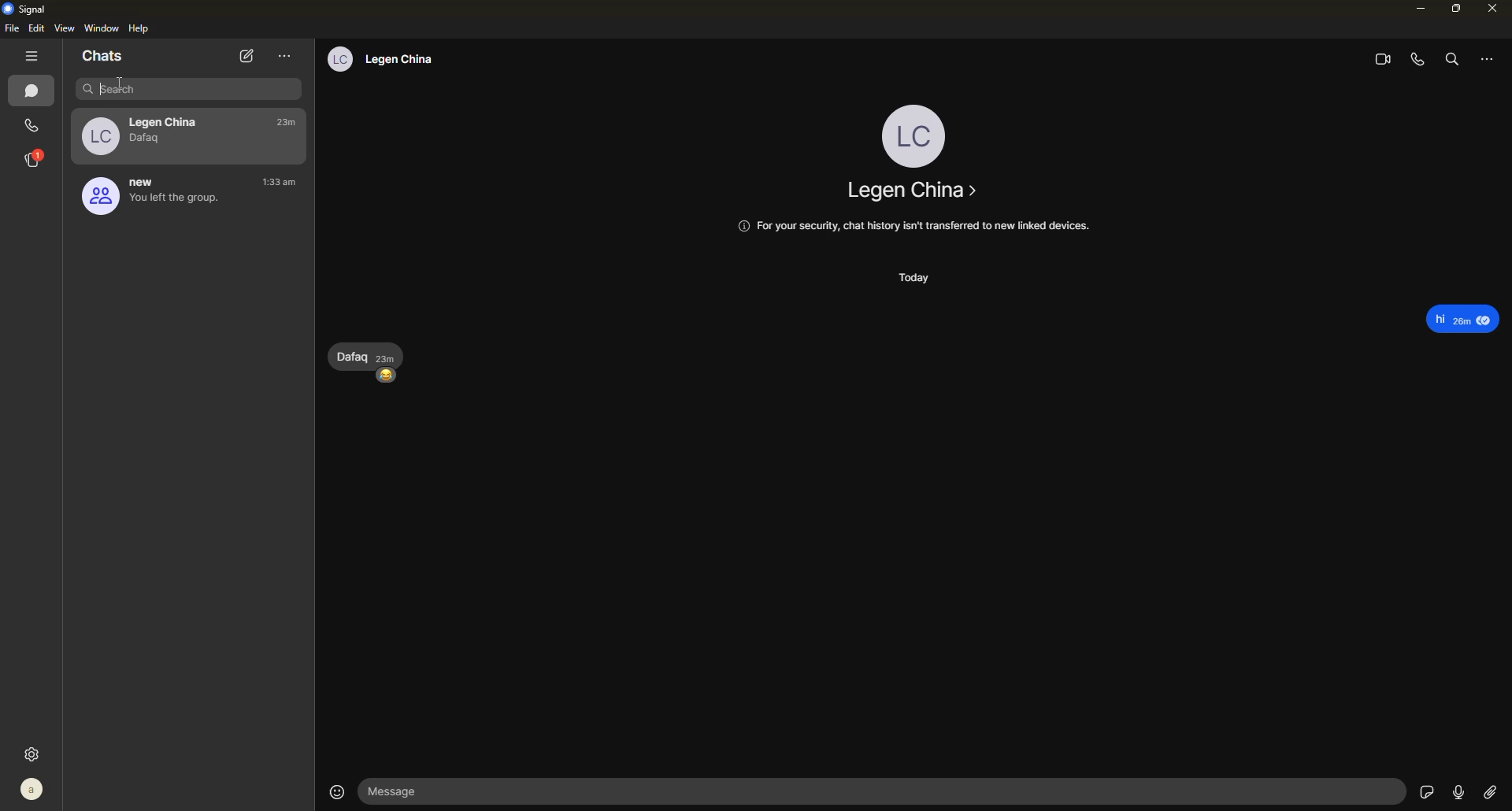 The image size is (1512, 811). Describe the element at coordinates (286, 57) in the screenshot. I see `more` at that location.